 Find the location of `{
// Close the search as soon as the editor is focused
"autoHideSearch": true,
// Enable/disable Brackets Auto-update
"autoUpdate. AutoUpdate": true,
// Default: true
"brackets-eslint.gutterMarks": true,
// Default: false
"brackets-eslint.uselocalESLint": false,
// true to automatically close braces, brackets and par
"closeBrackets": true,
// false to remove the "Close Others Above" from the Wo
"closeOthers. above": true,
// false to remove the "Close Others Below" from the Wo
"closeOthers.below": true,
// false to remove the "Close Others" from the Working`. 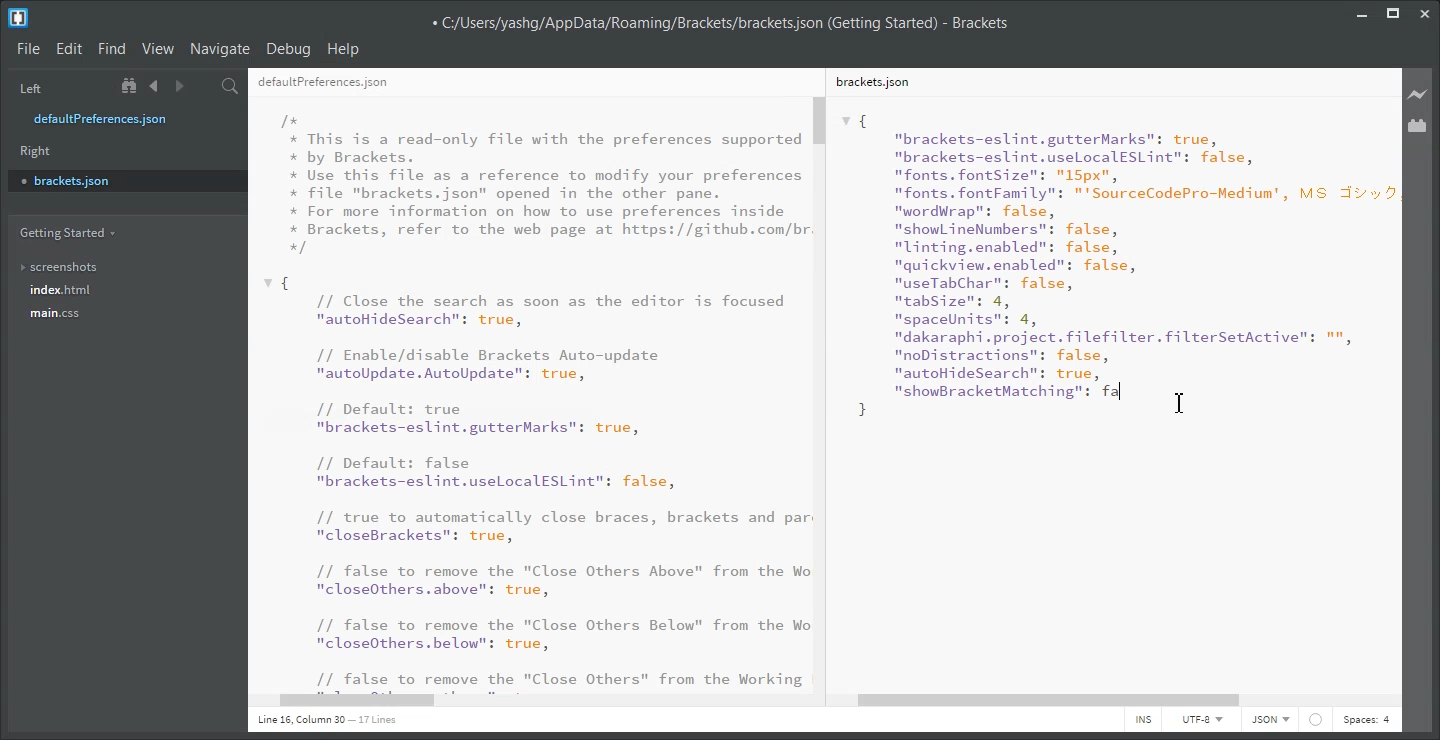

{
// Close the search as soon as the editor is focused
"autoHideSearch": true,
// Enable/disable Brackets Auto-update
"autoUpdate. AutoUpdate": true,
// Default: true
"brackets-eslint.gutterMarks": true,
// Default: false
"brackets-eslint.uselocalESLint": false,
// true to automatically close braces, brackets and par
"closeBrackets": true,
// false to remove the "Close Others Above" from the Wo
"closeOthers. above": true,
// false to remove the "Close Others Below" from the Wo
"closeOthers.below": true,
// false to remove the "Close Others" from the Working is located at coordinates (536, 482).